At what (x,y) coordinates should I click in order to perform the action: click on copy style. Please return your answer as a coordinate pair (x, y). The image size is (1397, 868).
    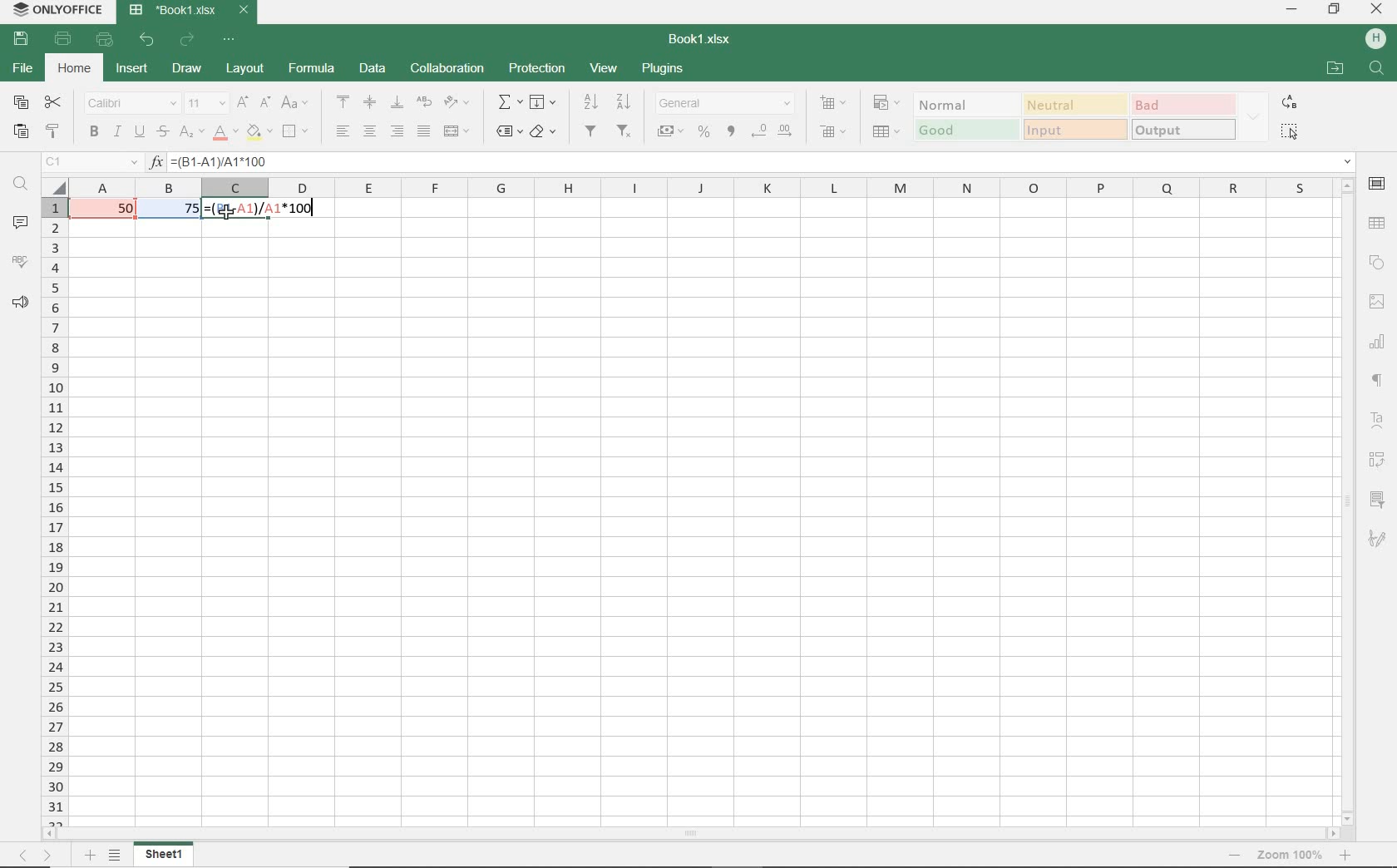
    Looking at the image, I should click on (54, 132).